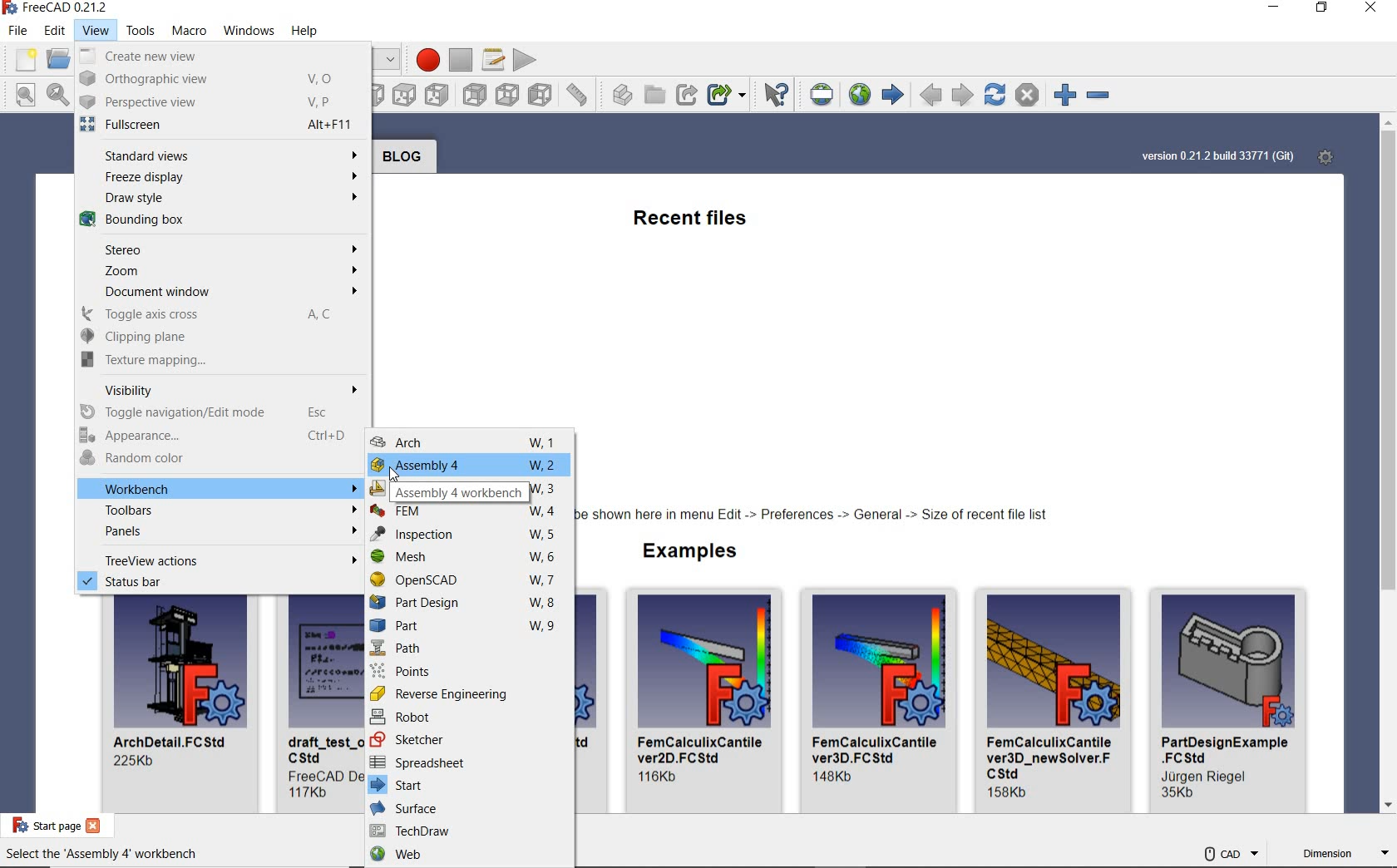 This screenshot has width=1397, height=868. I want to click on fit selection, so click(57, 94).